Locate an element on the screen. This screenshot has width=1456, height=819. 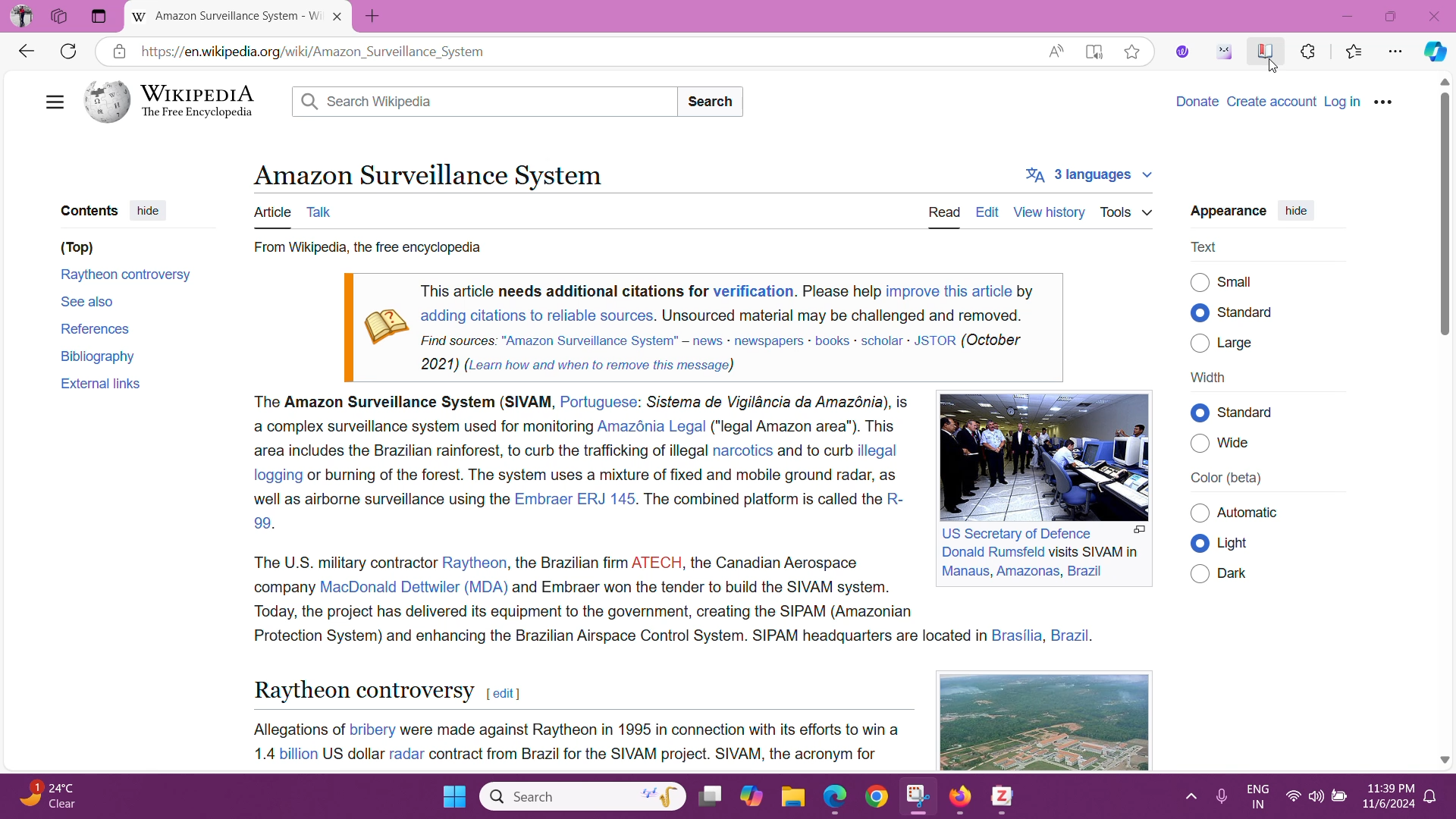
Webpage URL - https://en.wikipedia.org/wiki/Amazon_Surveillance_System is located at coordinates (585, 51).